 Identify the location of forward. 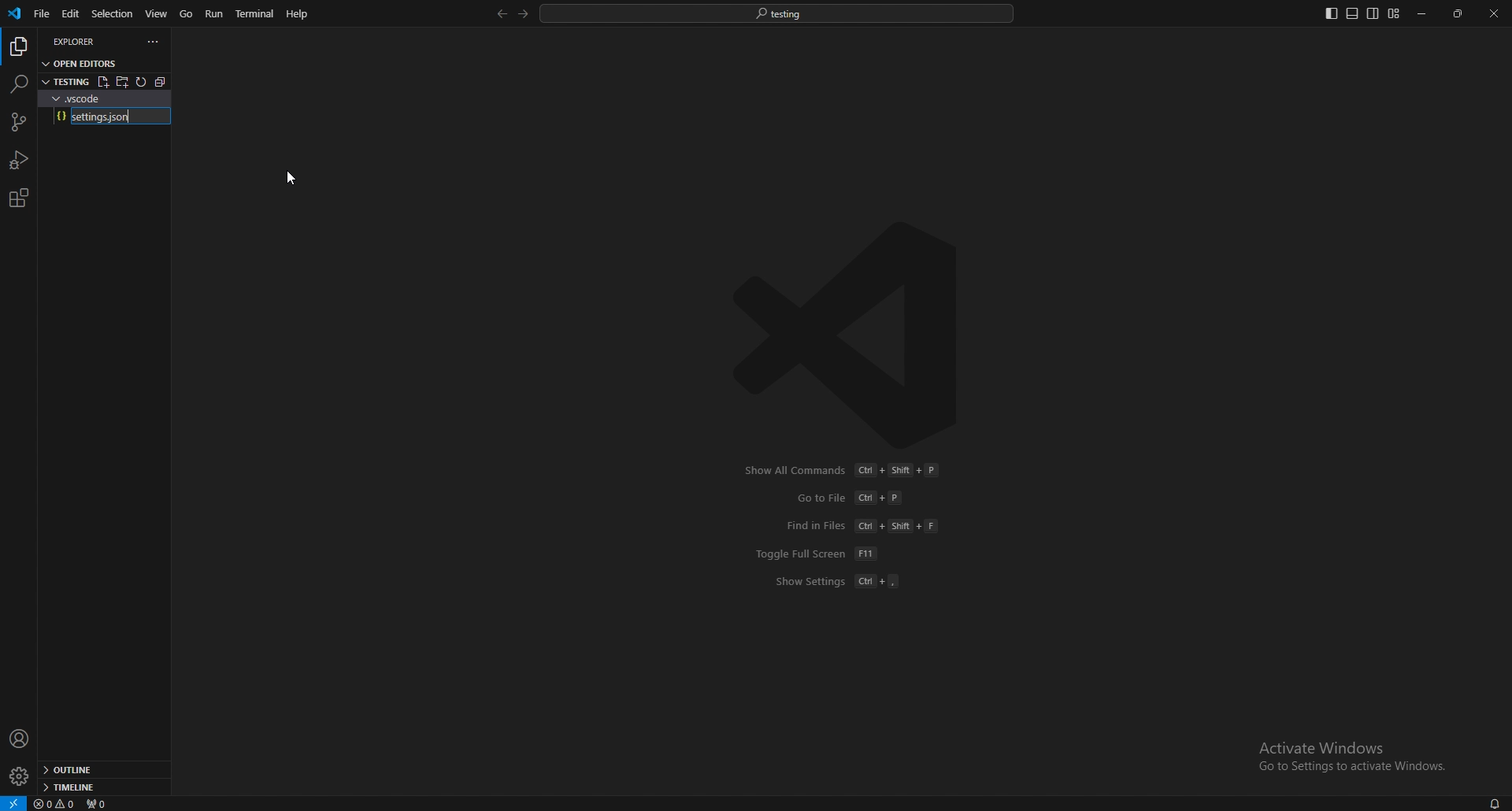
(521, 14).